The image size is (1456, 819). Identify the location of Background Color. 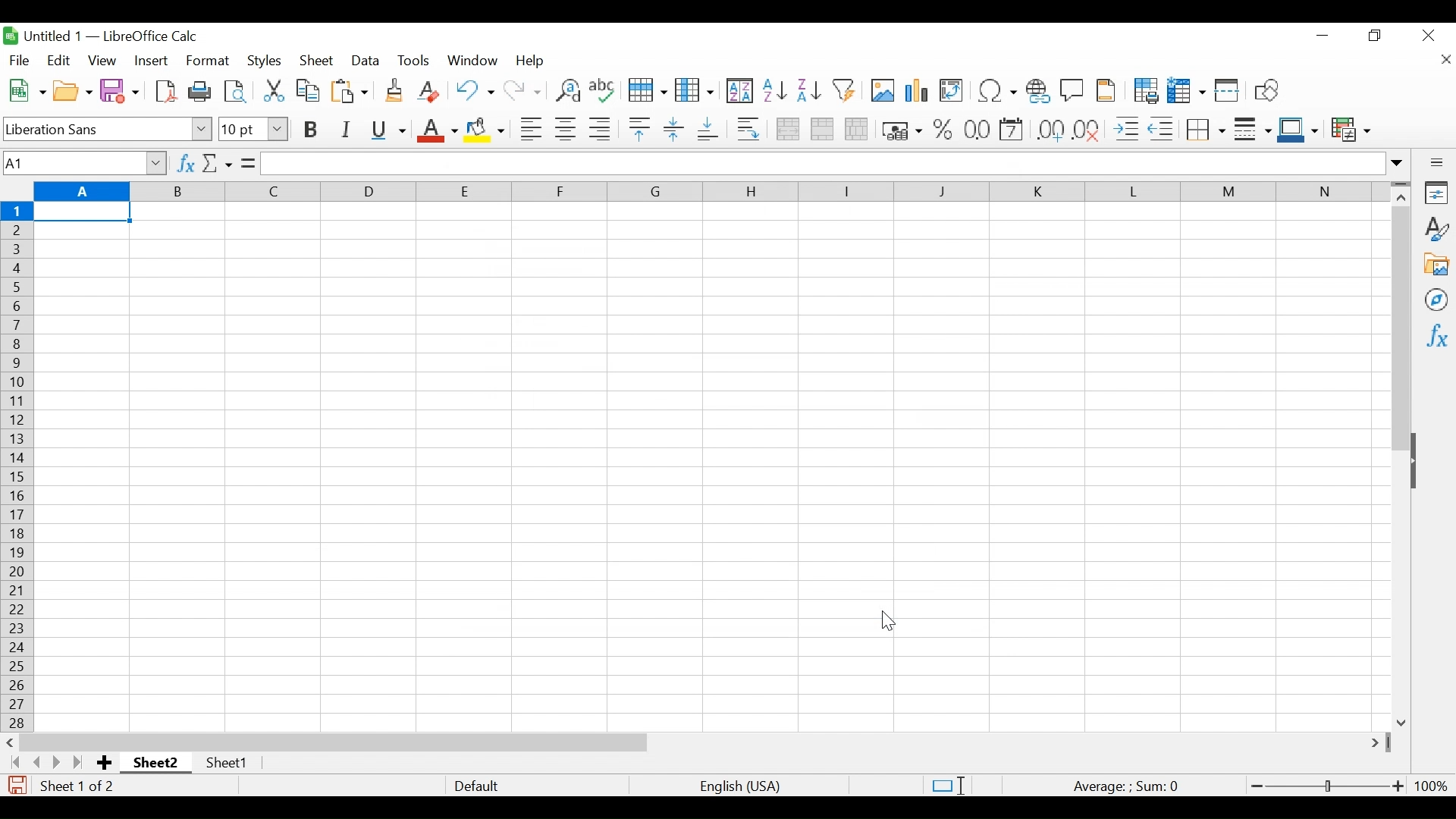
(486, 132).